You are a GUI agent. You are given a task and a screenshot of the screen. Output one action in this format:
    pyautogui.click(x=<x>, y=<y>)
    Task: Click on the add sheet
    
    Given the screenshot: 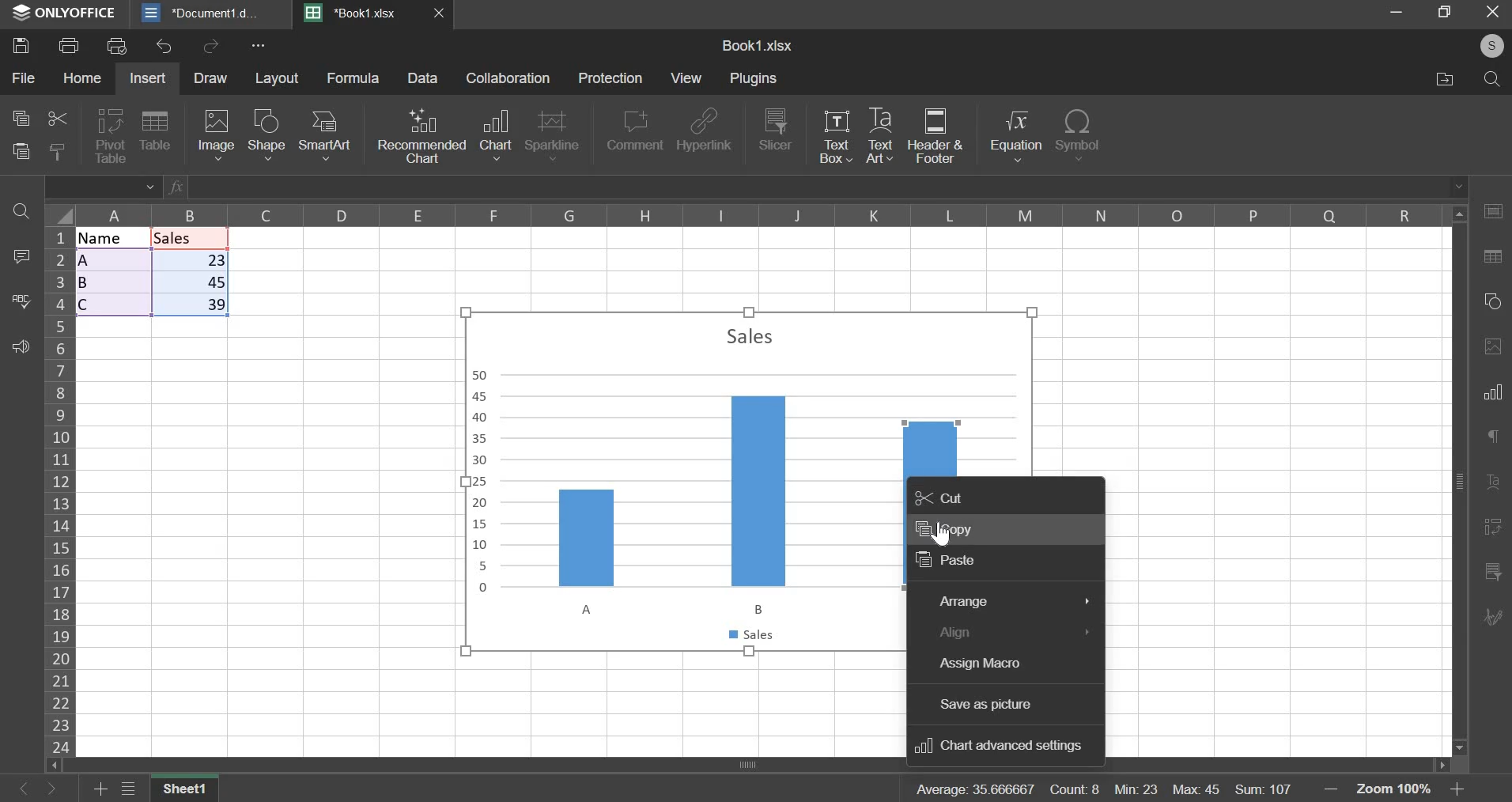 What is the action you would take?
    pyautogui.click(x=97, y=791)
    